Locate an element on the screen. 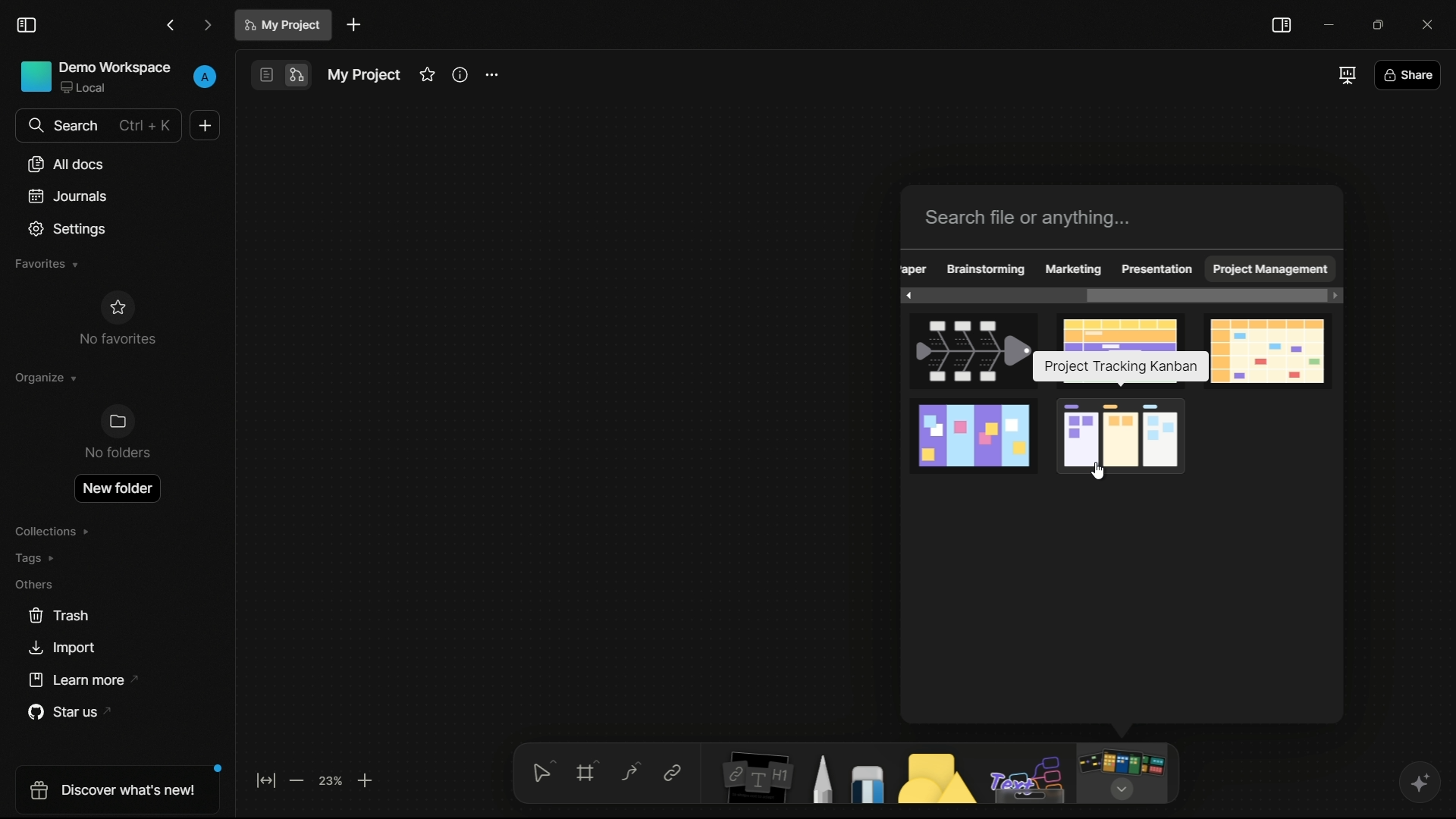 This screenshot has width=1456, height=819. search bar is located at coordinates (1125, 217).